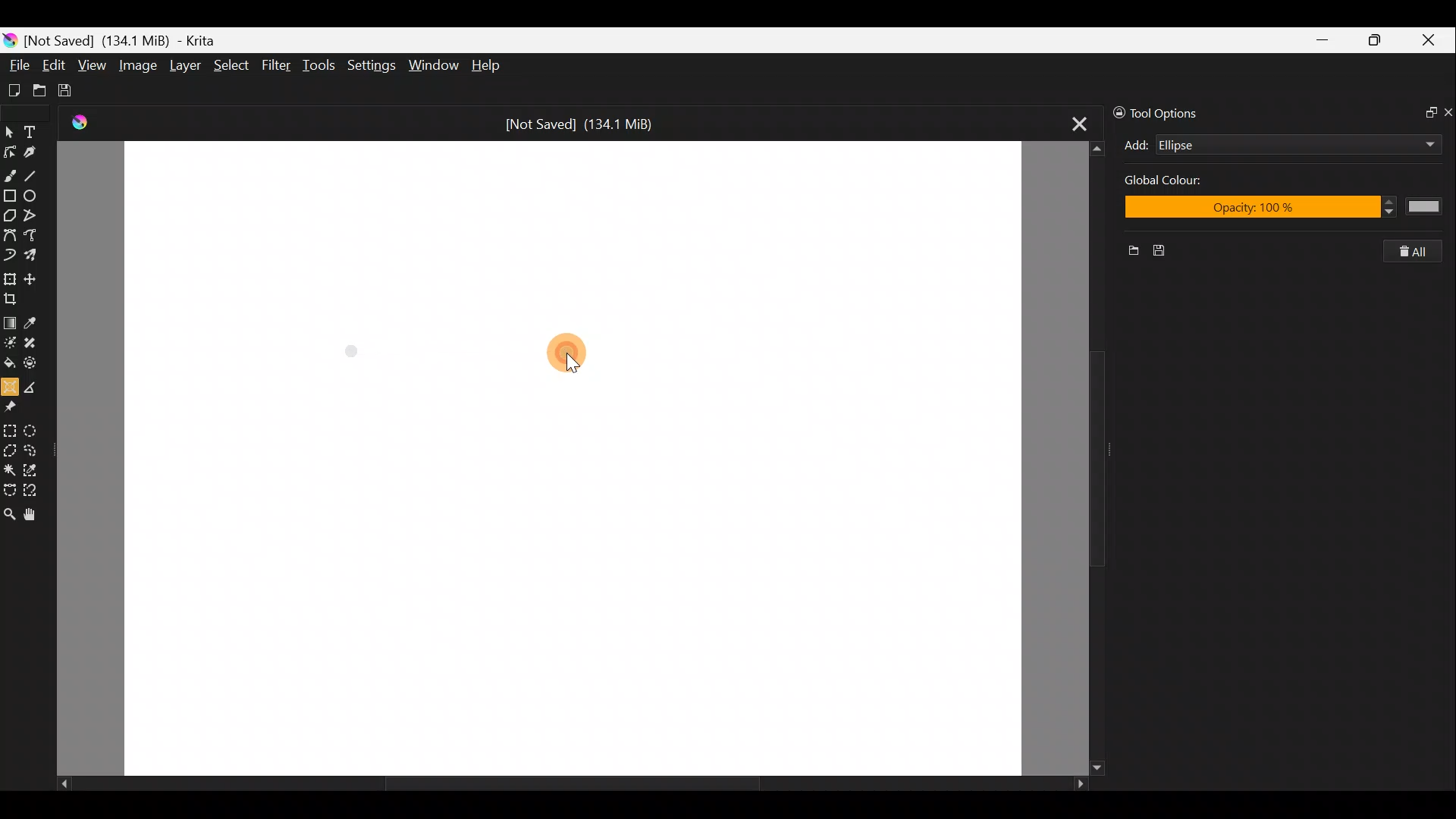  What do you see at coordinates (9, 256) in the screenshot?
I see `Dynamic brush tool` at bounding box center [9, 256].